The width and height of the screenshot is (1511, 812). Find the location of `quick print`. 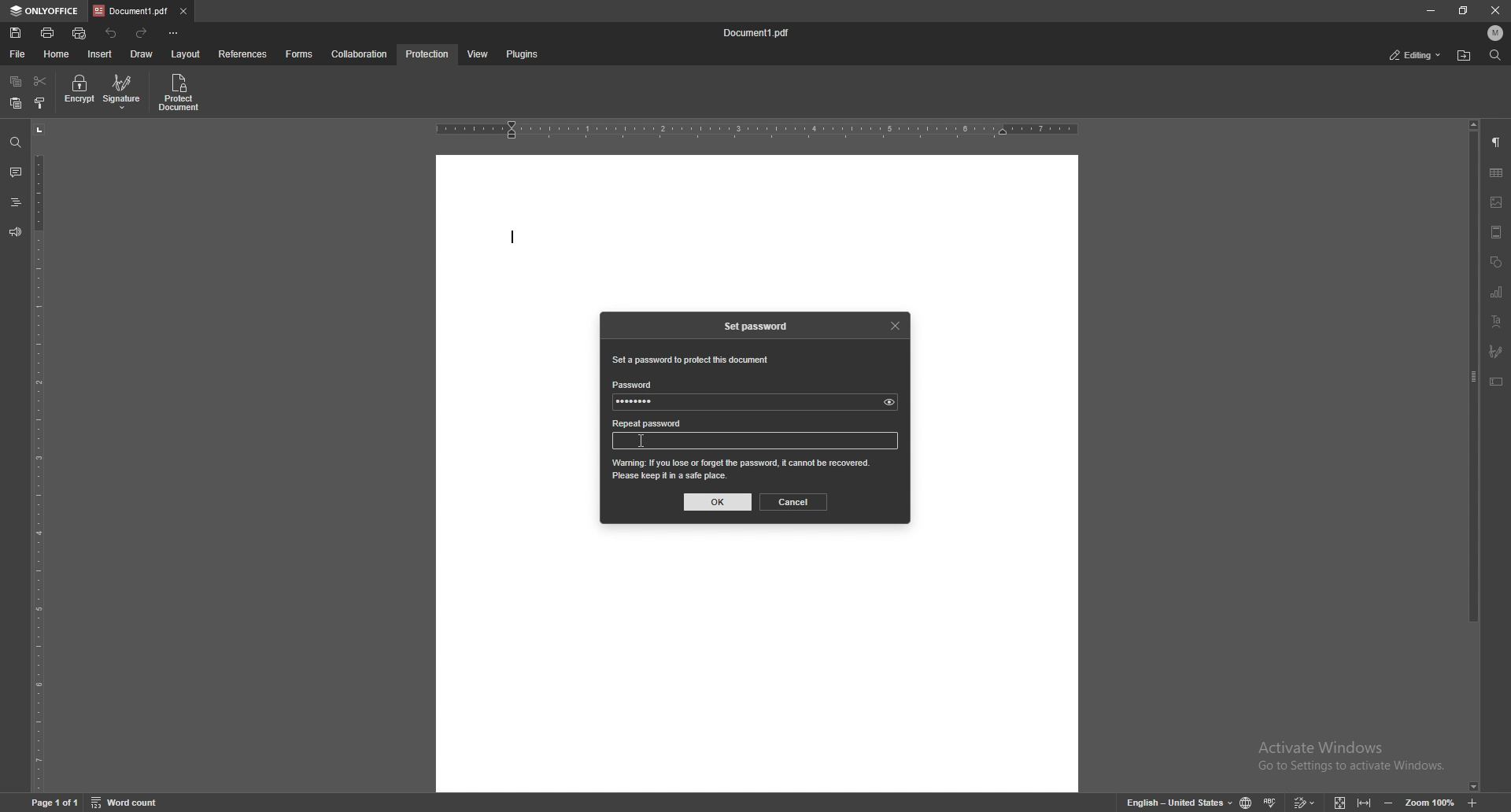

quick print is located at coordinates (81, 33).